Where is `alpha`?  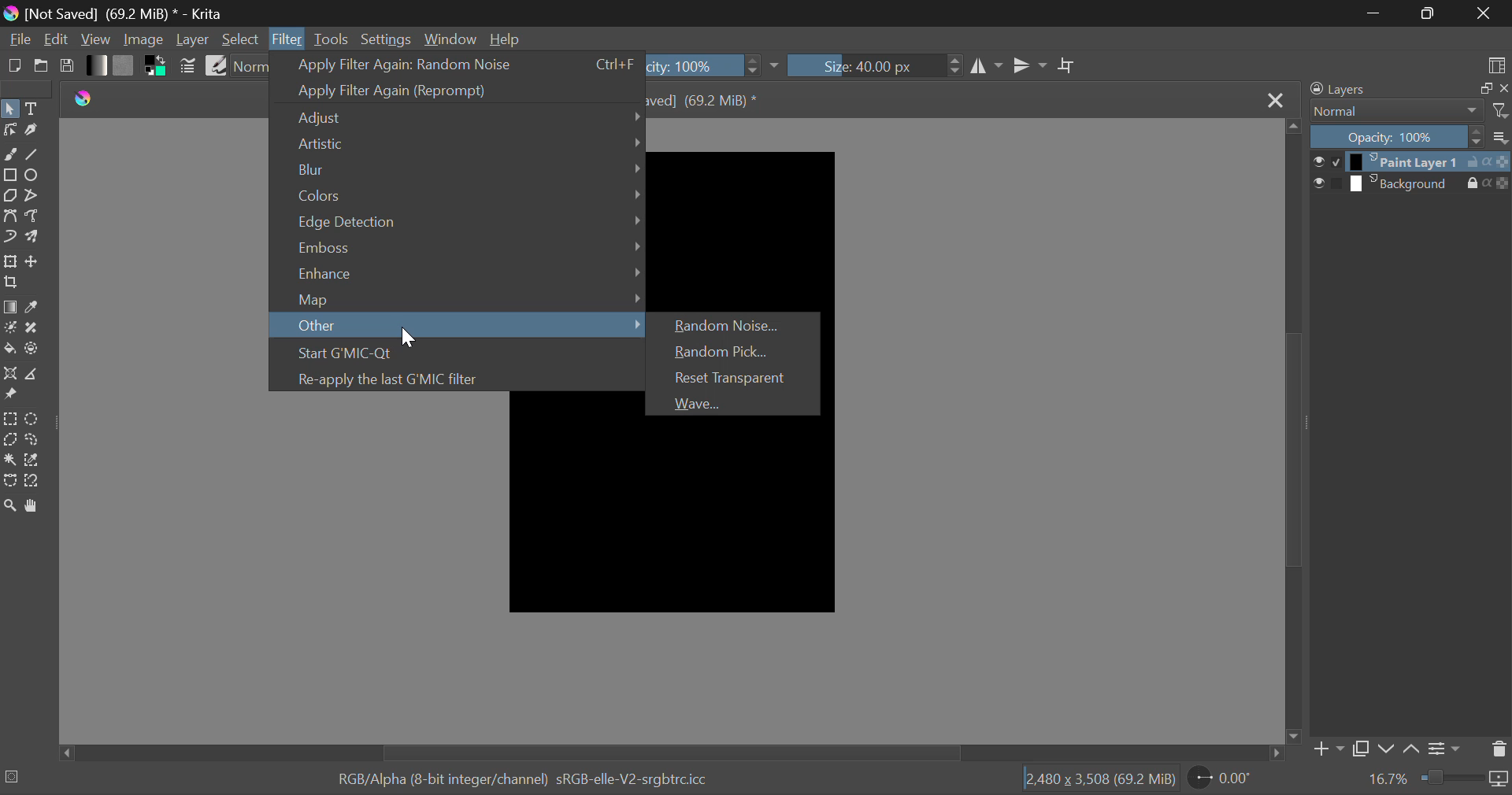 alpha is located at coordinates (1481, 184).